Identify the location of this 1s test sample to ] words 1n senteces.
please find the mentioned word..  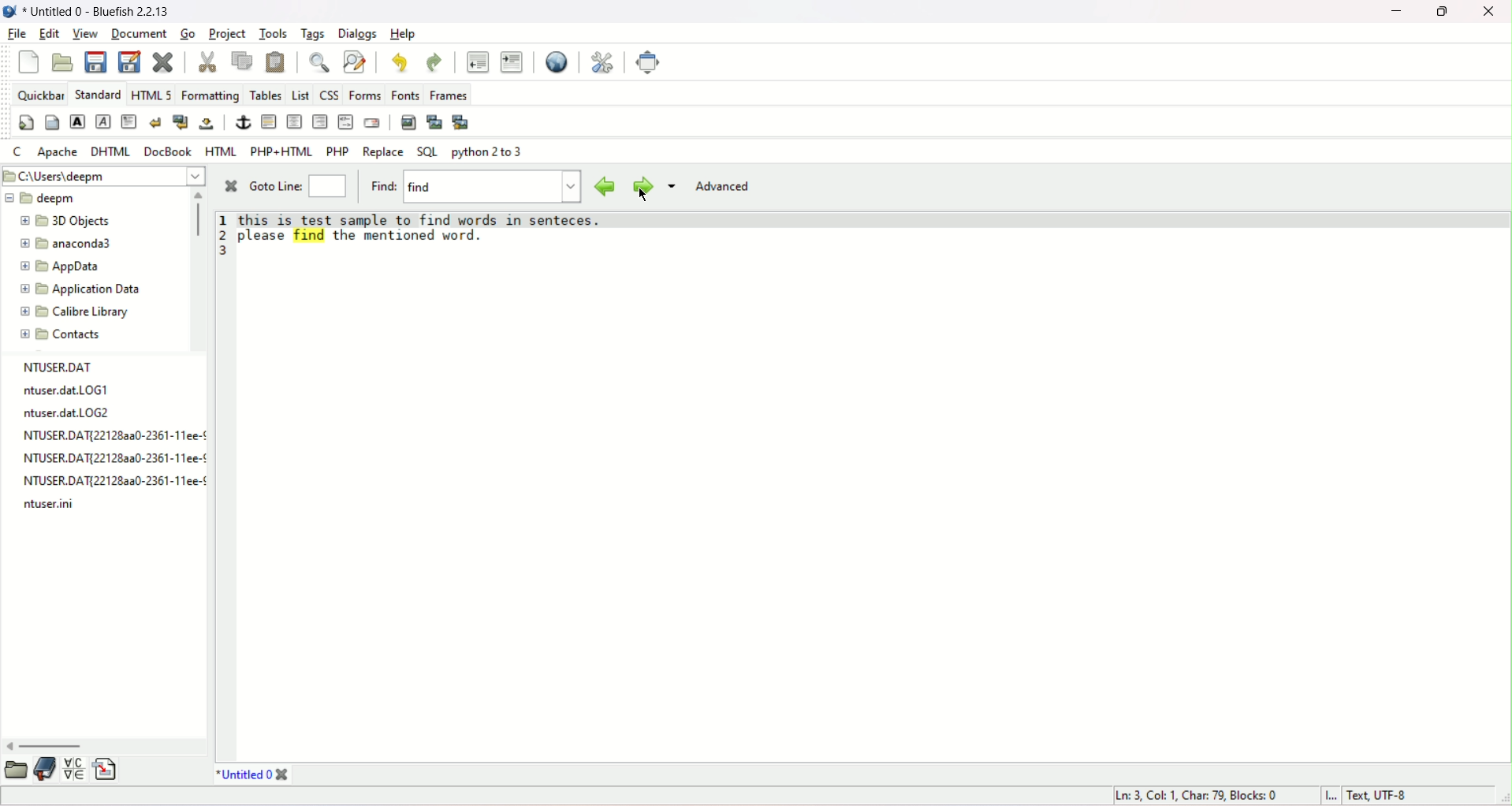
(431, 229).